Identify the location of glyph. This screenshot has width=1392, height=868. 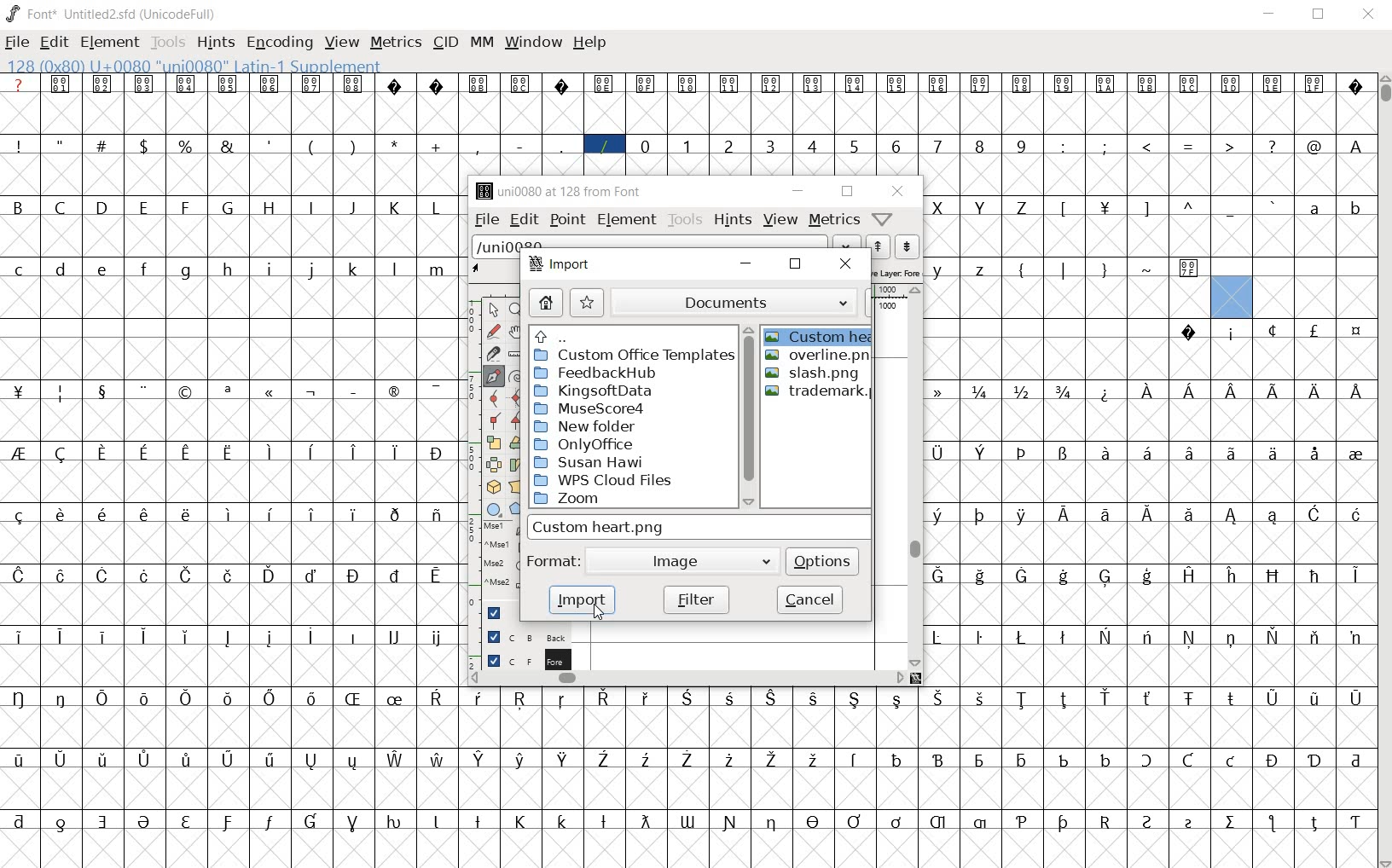
(228, 84).